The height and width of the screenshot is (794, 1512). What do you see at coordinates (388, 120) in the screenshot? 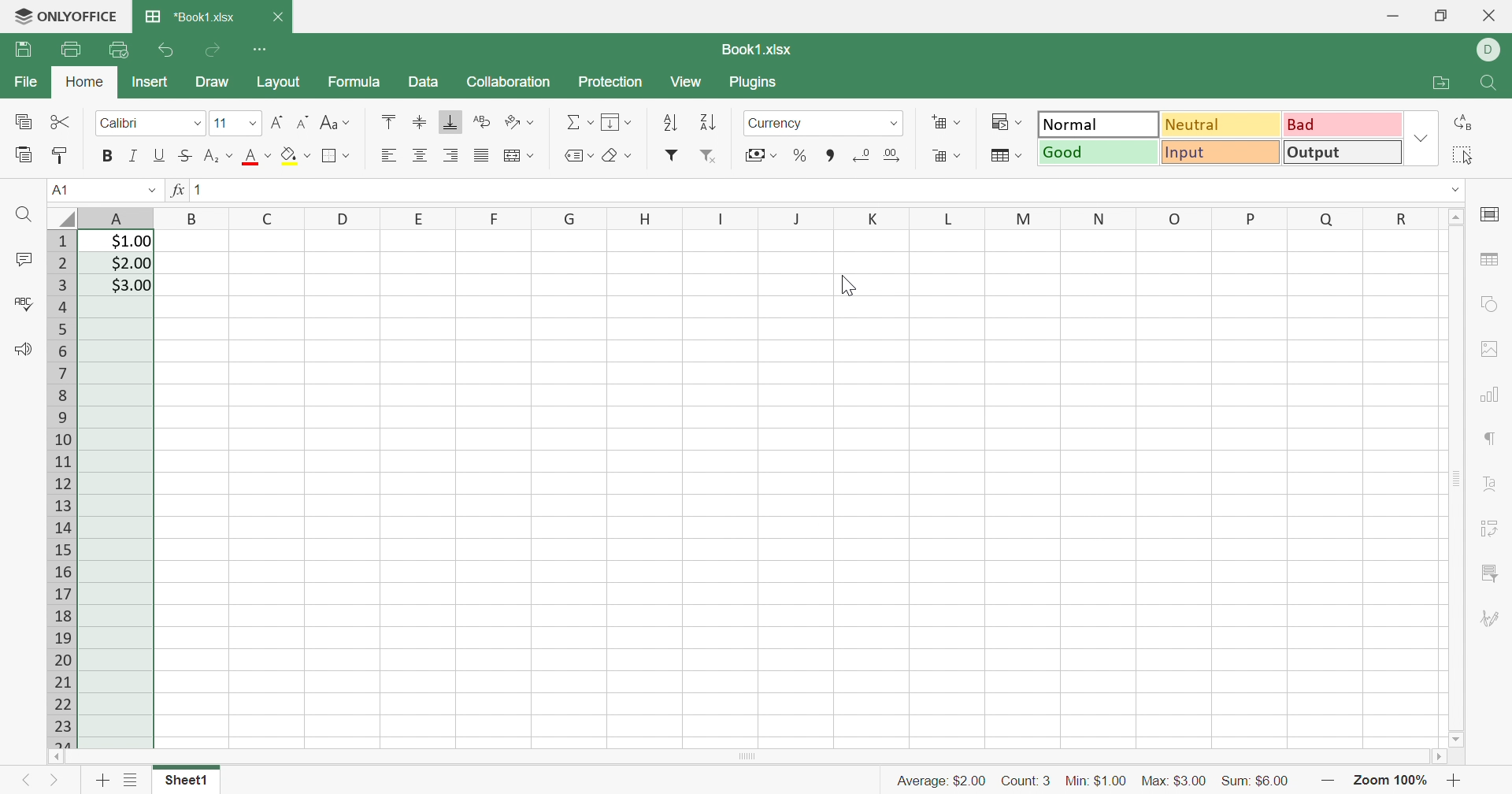
I see `Align top` at bounding box center [388, 120].